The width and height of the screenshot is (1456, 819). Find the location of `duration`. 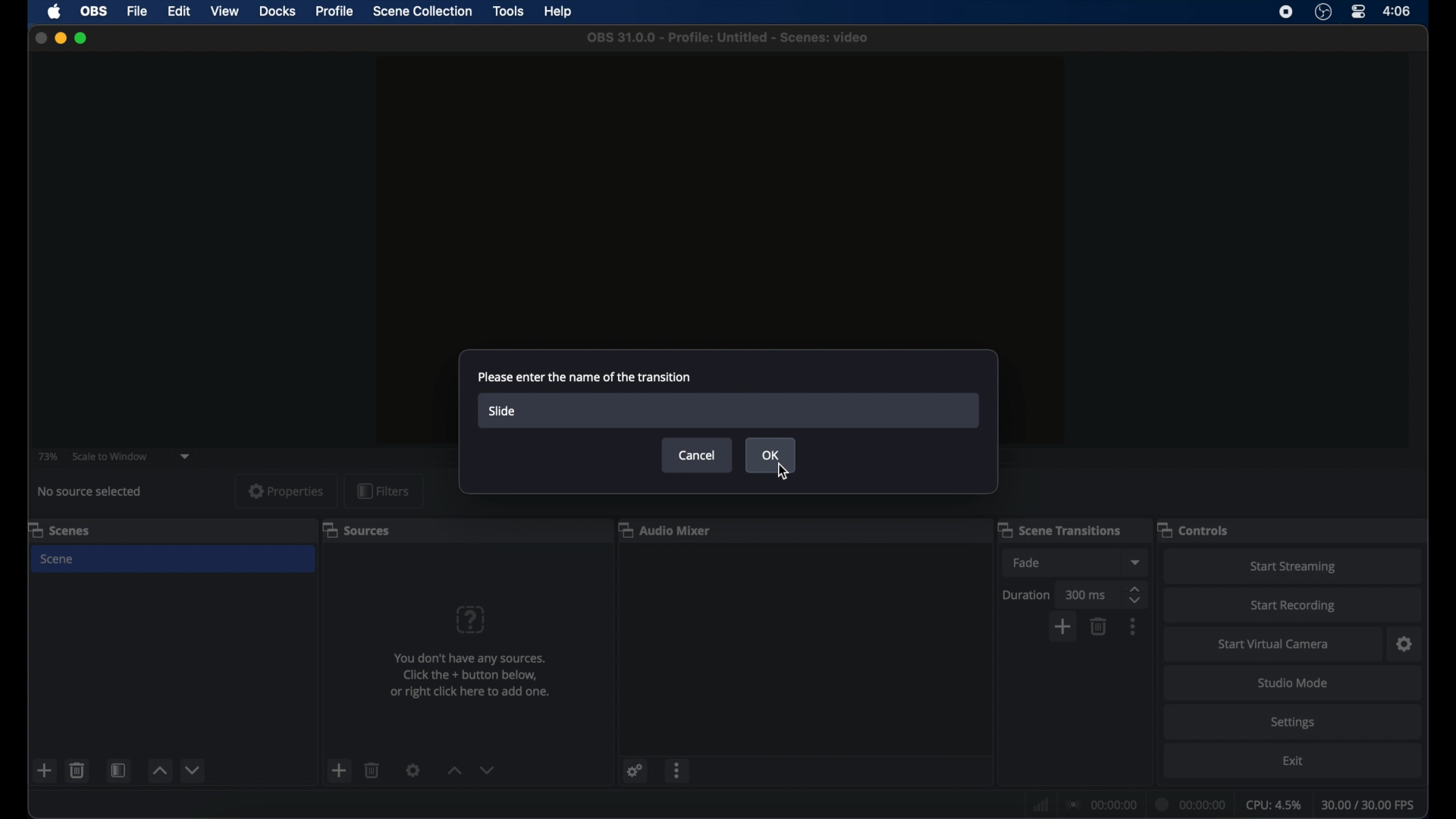

duration is located at coordinates (1027, 596).